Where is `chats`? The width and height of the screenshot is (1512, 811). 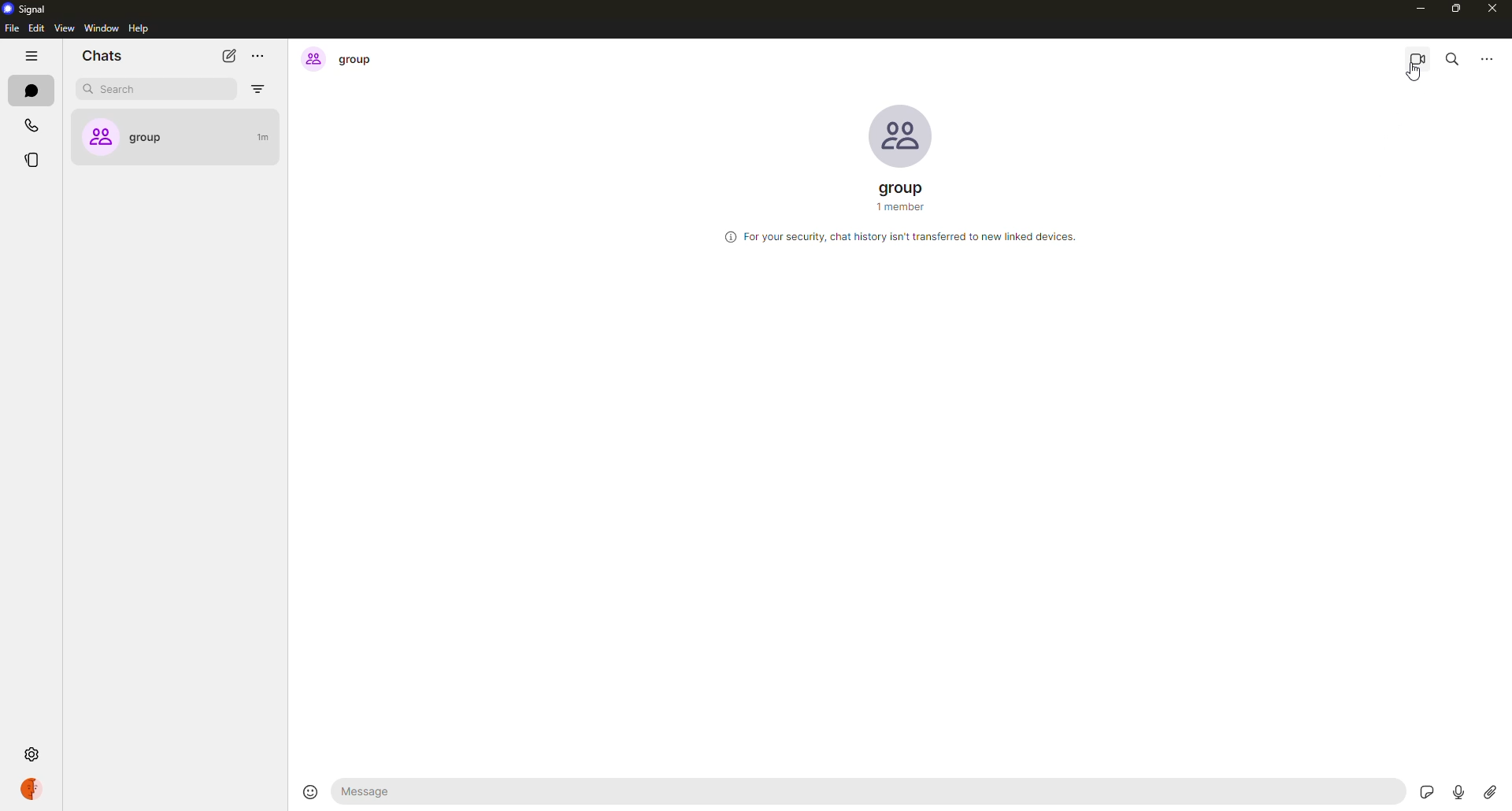
chats is located at coordinates (33, 91).